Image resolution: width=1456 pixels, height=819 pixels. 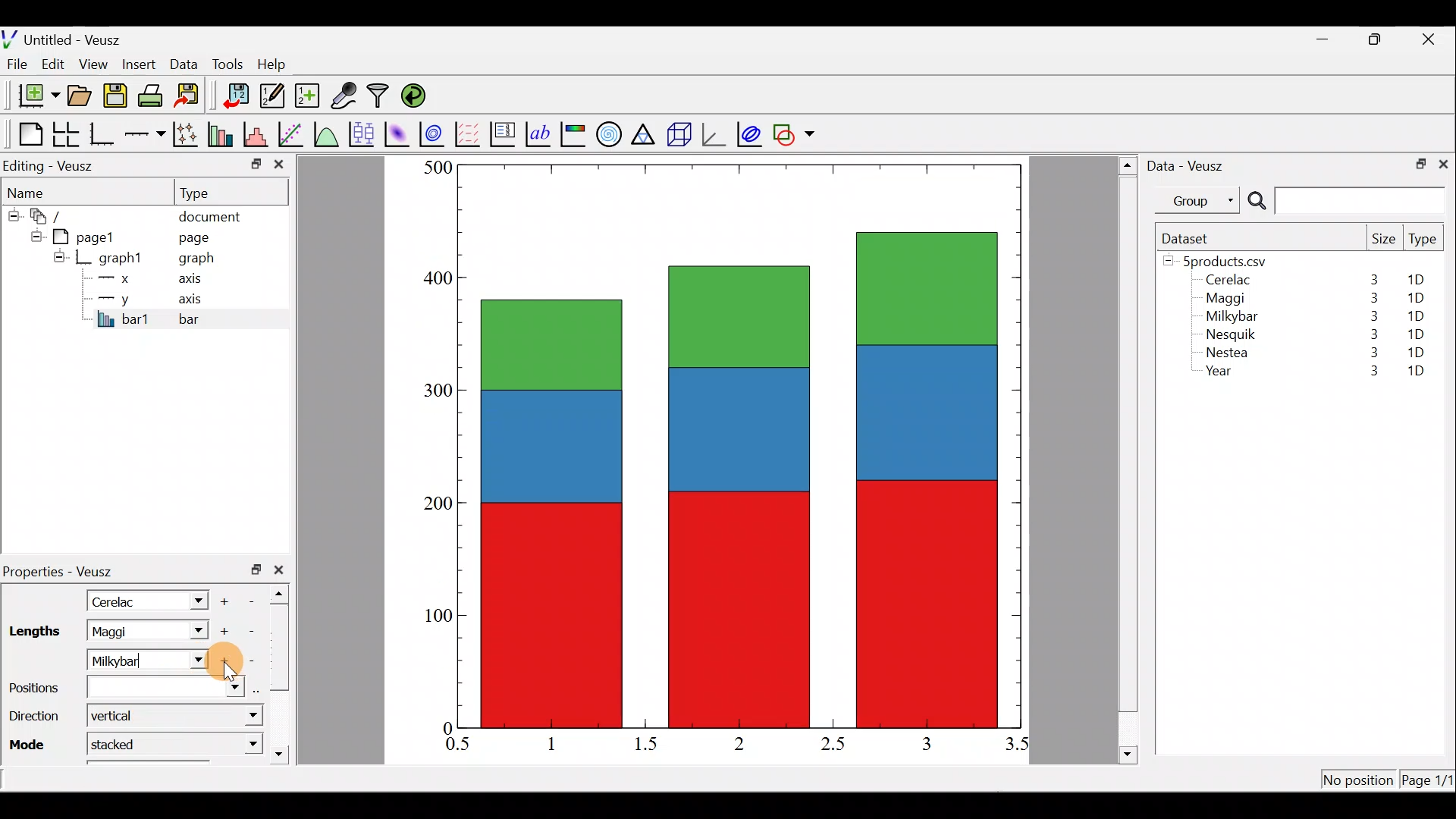 What do you see at coordinates (1344, 201) in the screenshot?
I see `Search bar` at bounding box center [1344, 201].